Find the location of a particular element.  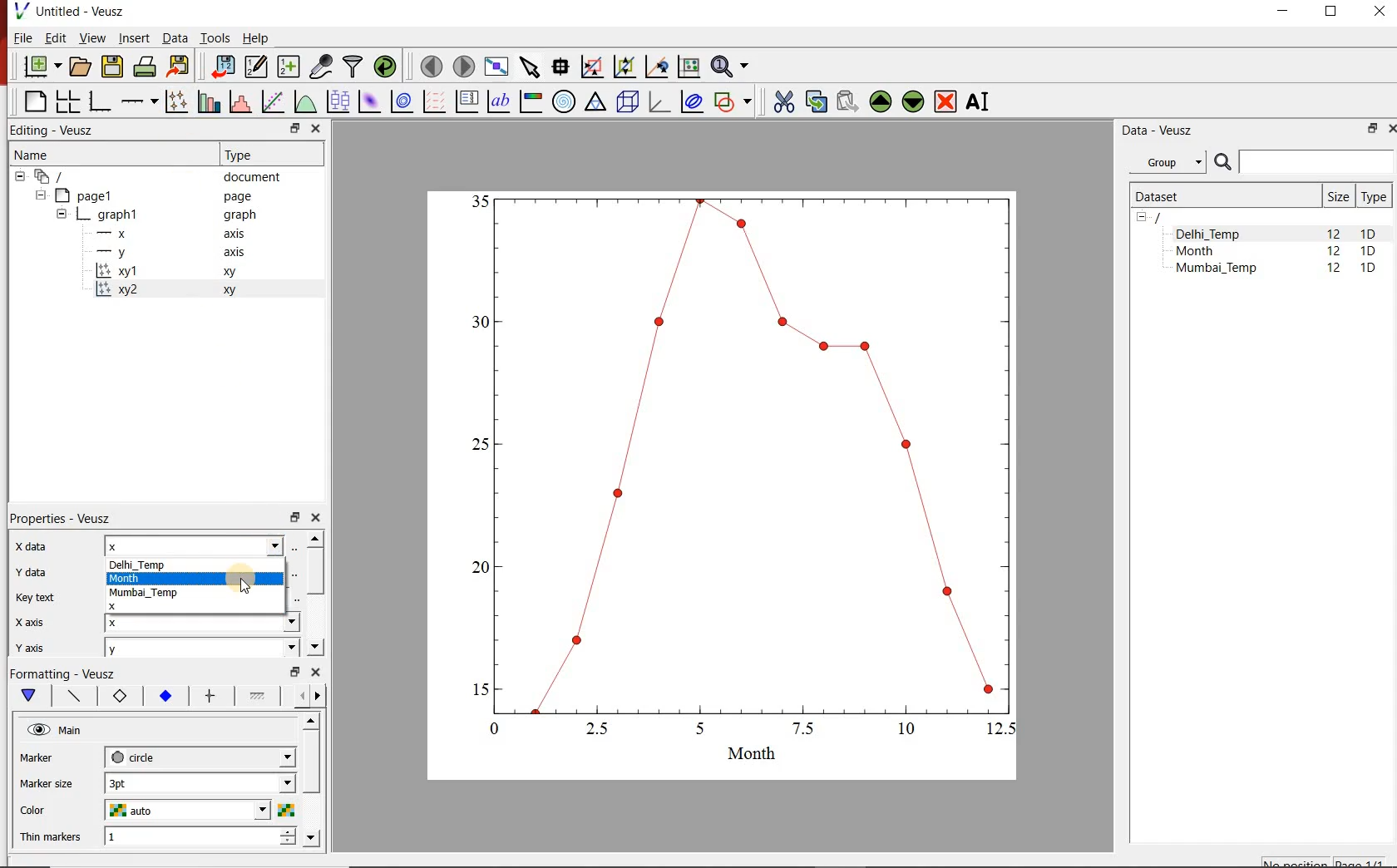

Tick labels is located at coordinates (164, 693).